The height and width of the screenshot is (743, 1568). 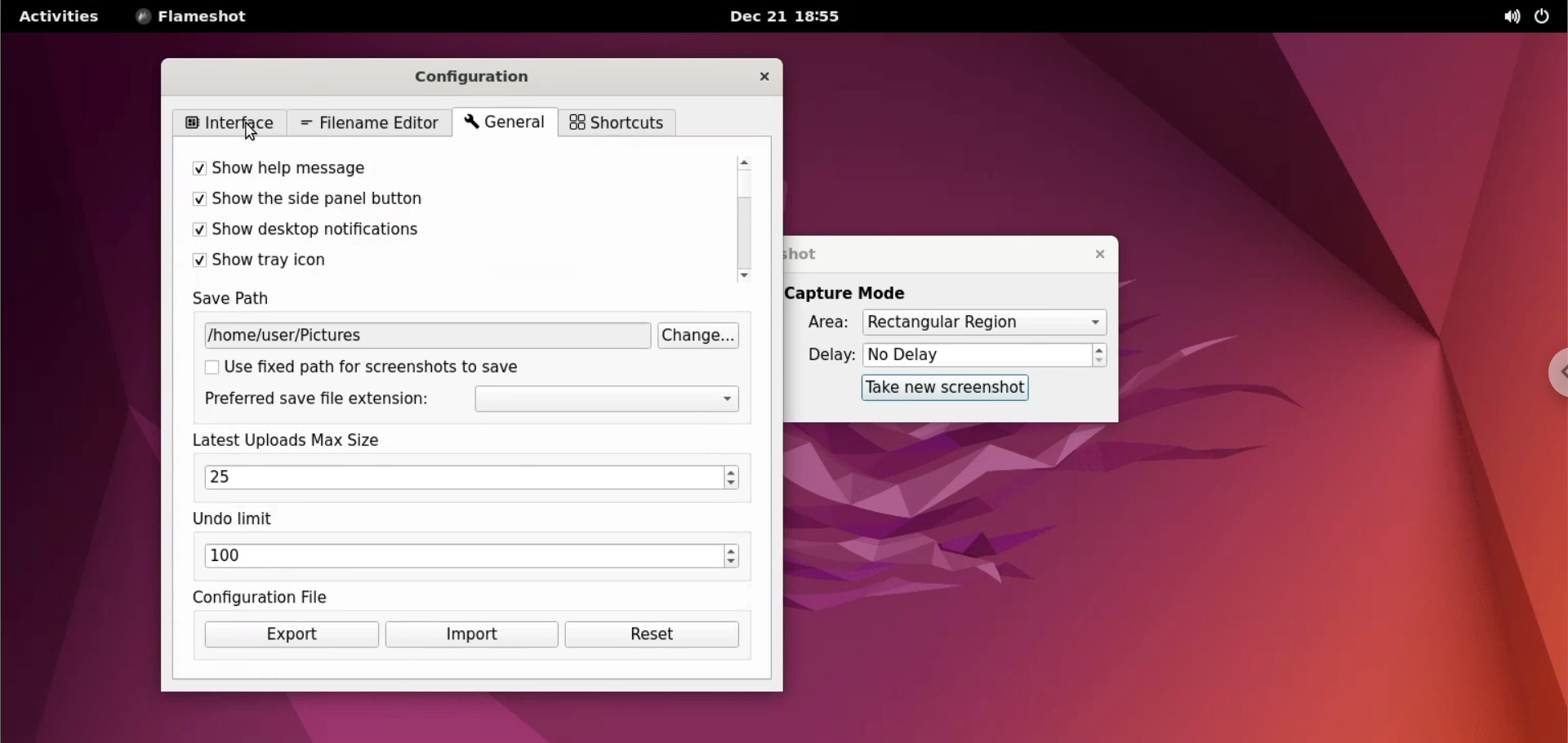 I want to click on /home/user/Pictures, so click(x=338, y=336).